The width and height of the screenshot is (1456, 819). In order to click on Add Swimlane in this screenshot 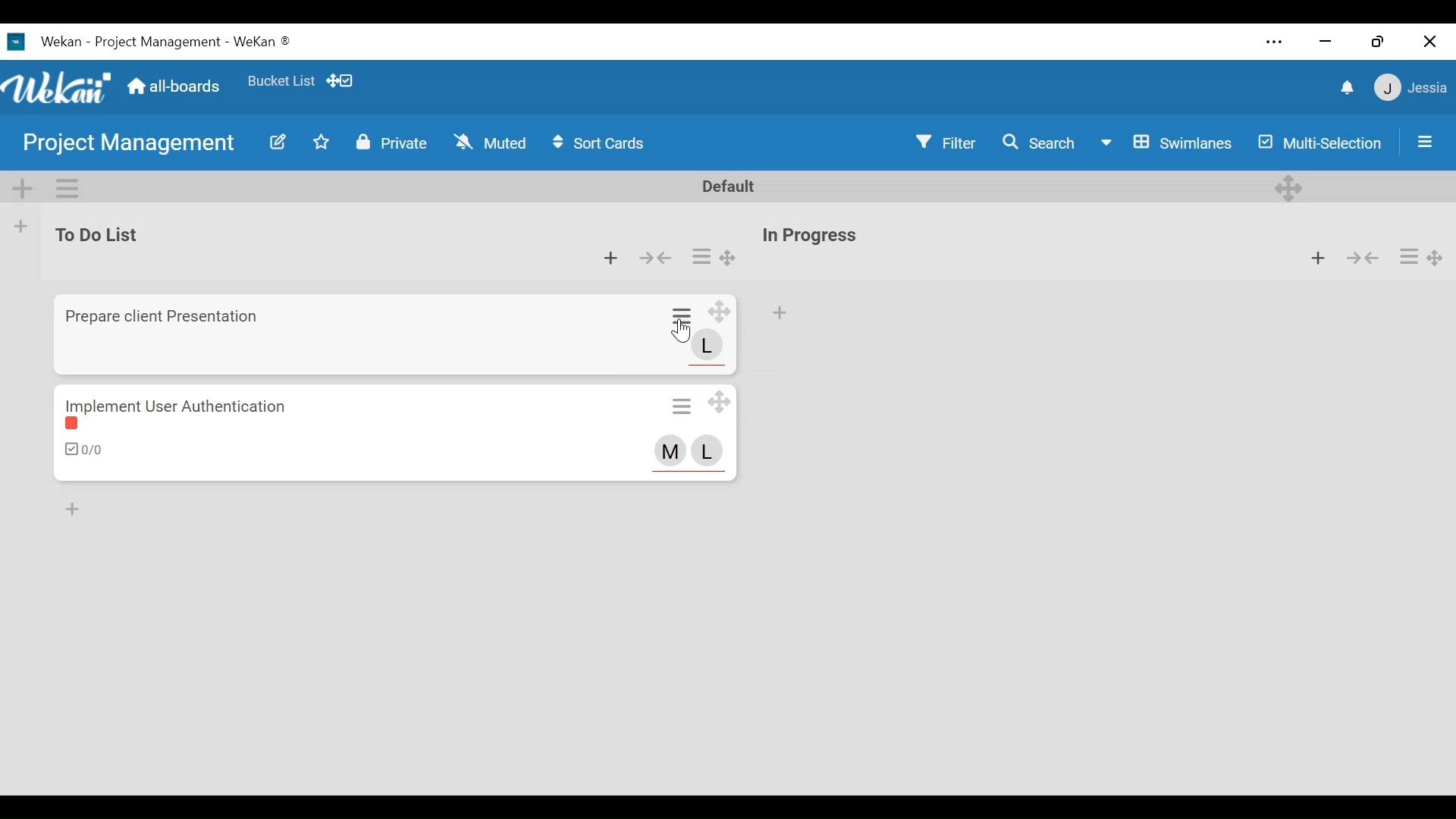, I will do `click(25, 190)`.